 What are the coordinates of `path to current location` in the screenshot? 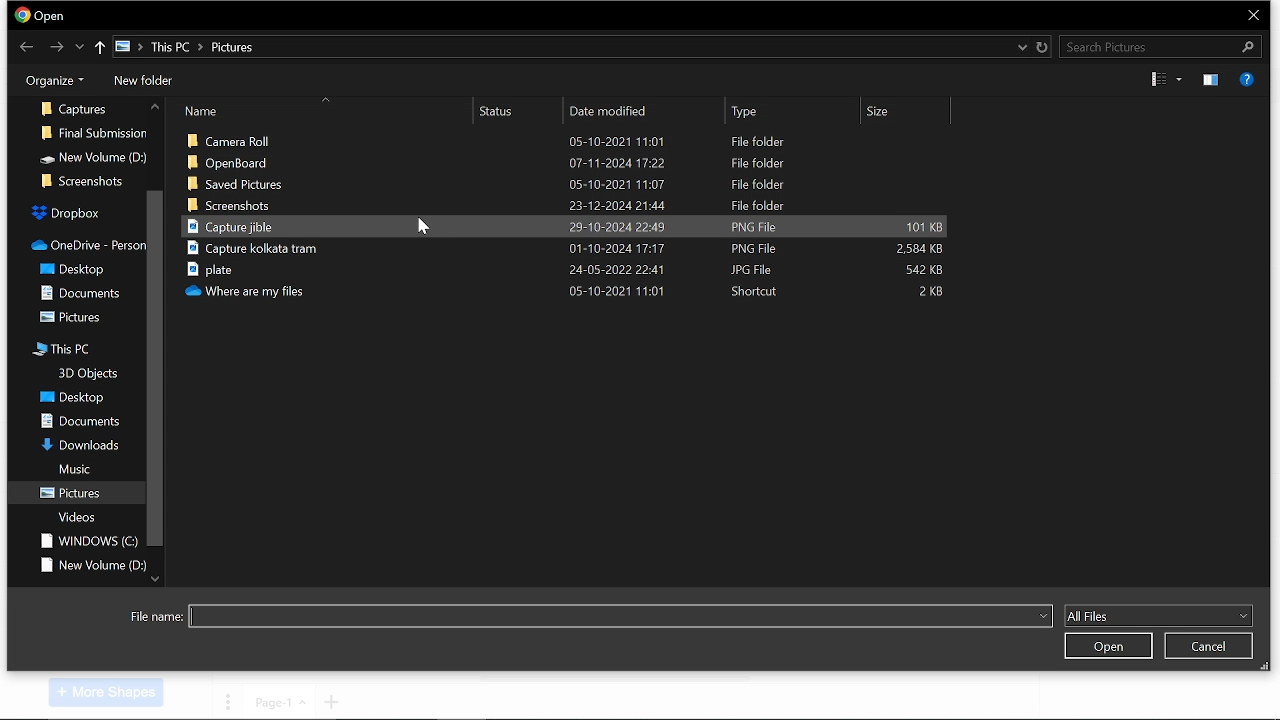 It's located at (190, 47).